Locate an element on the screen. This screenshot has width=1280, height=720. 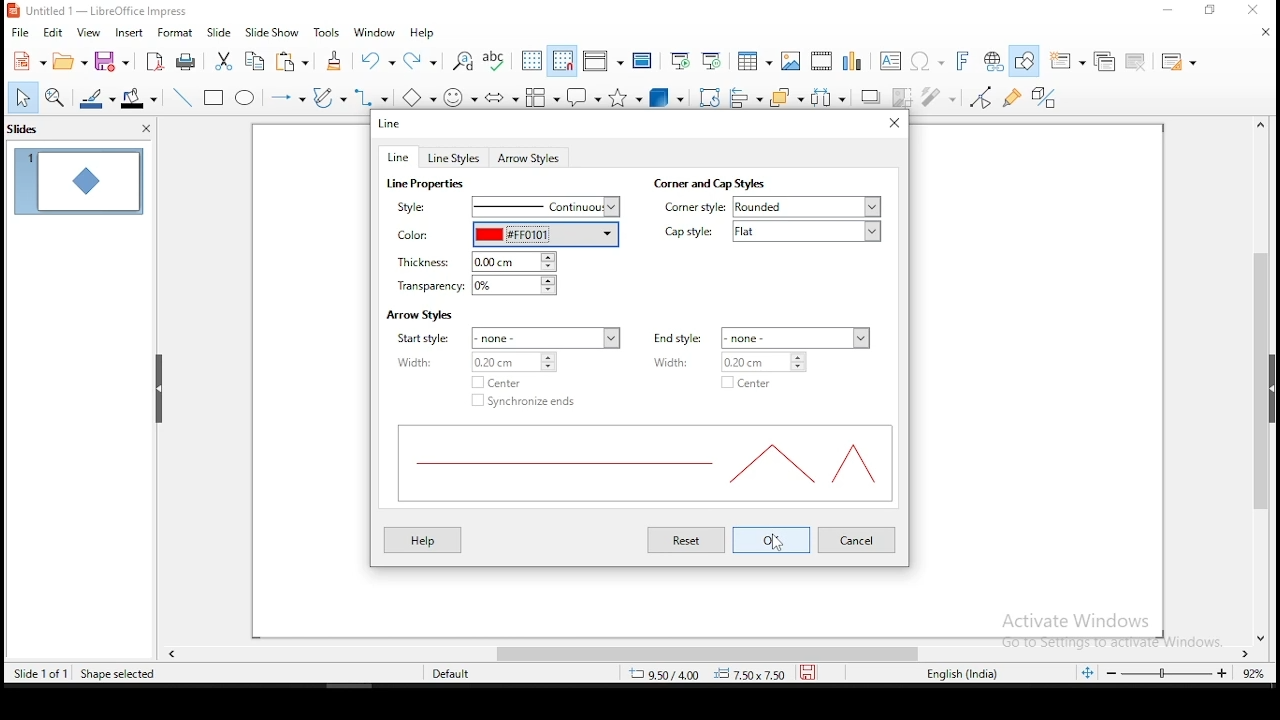
copy is located at coordinates (255, 61).